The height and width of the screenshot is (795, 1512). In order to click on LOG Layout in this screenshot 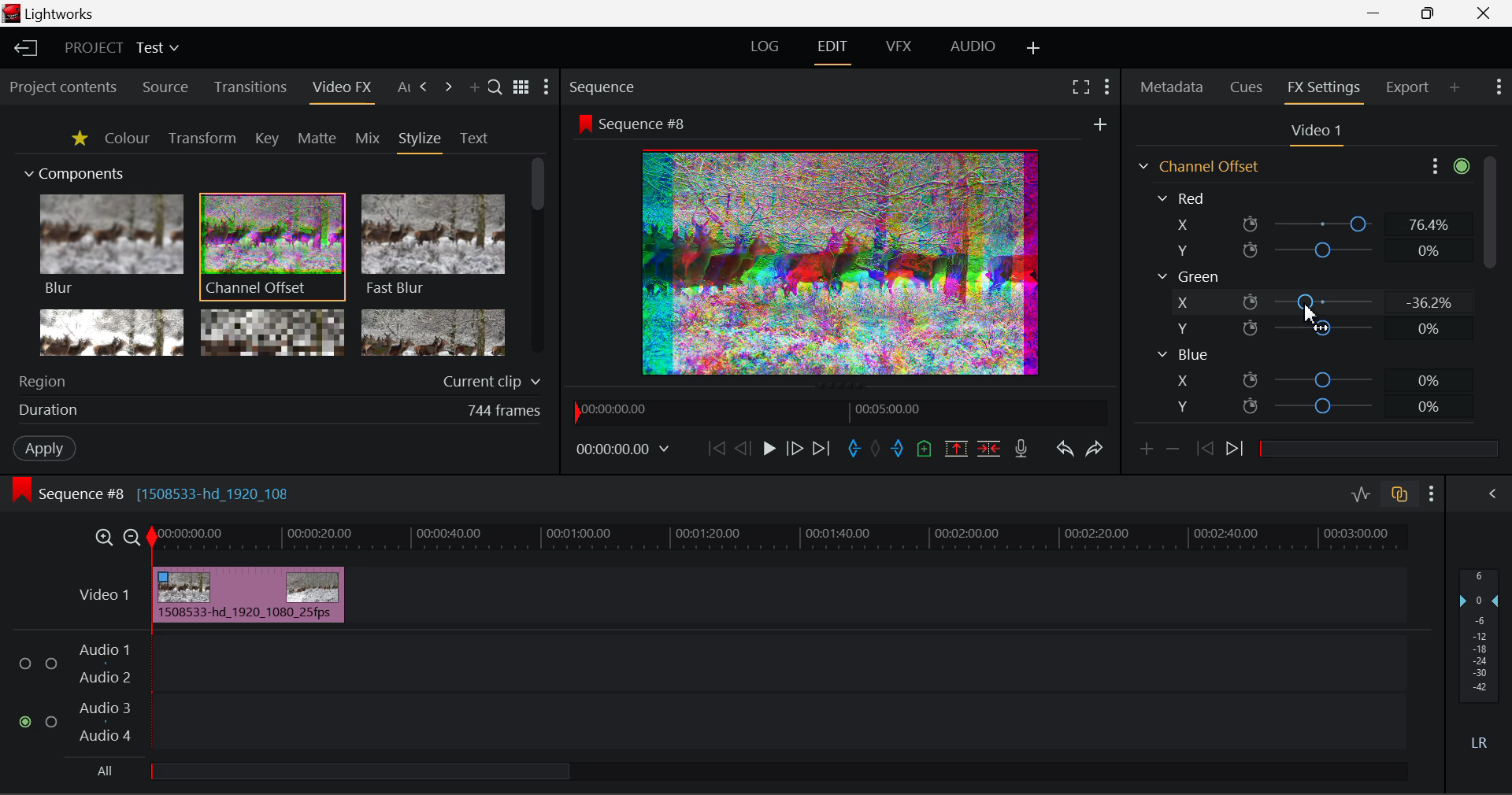, I will do `click(765, 50)`.